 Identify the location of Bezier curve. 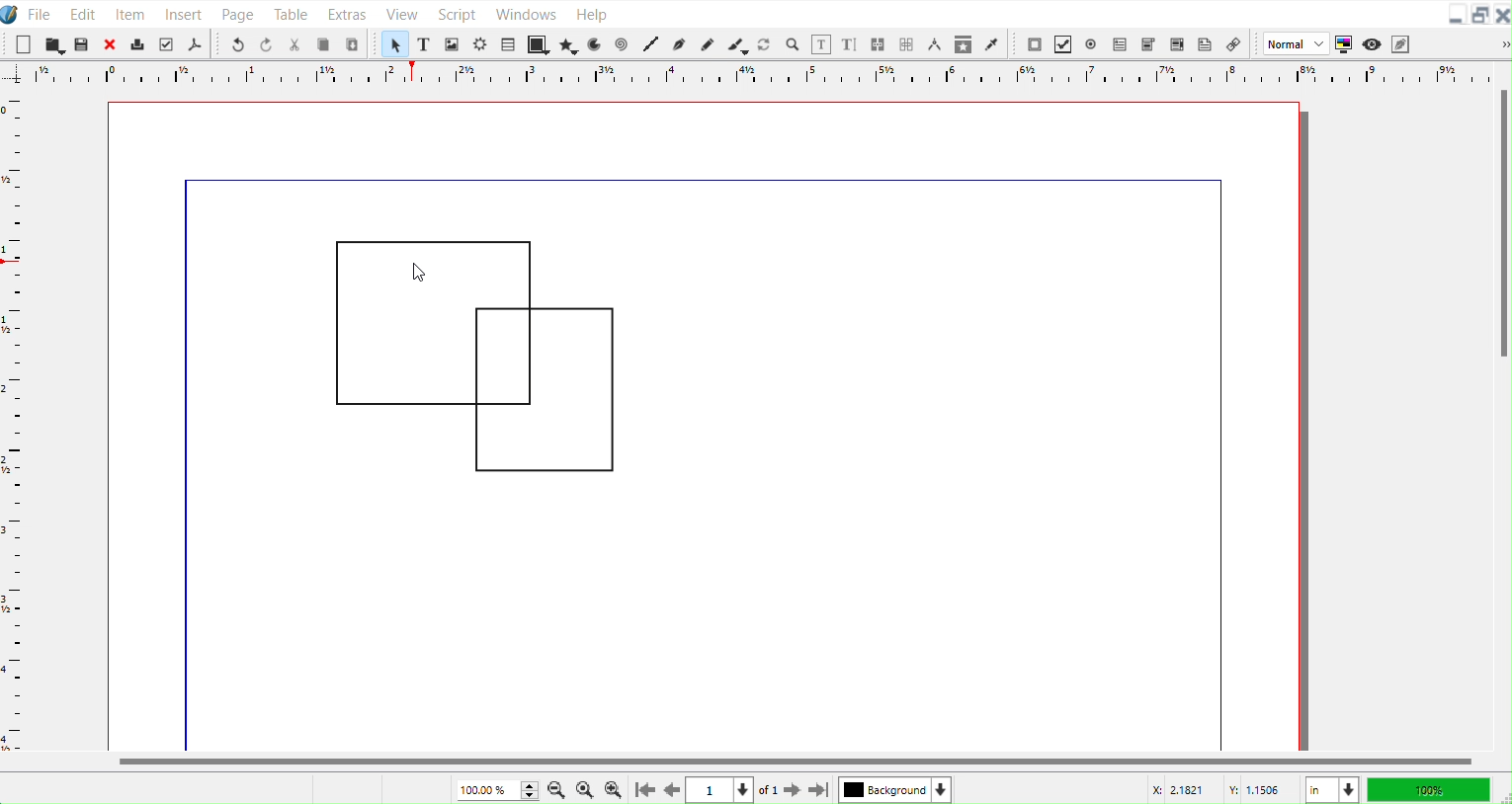
(680, 45).